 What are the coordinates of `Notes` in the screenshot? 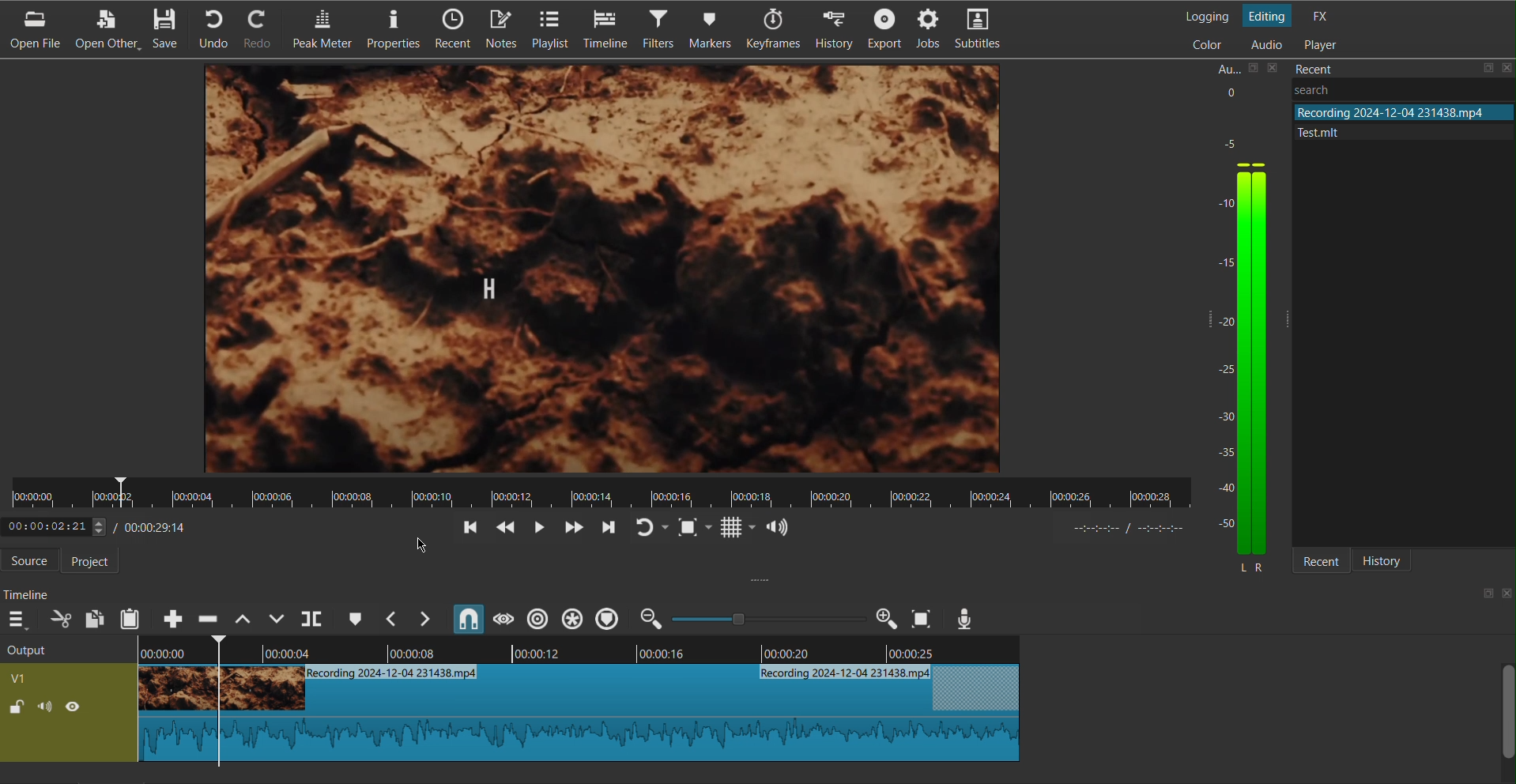 It's located at (503, 28).